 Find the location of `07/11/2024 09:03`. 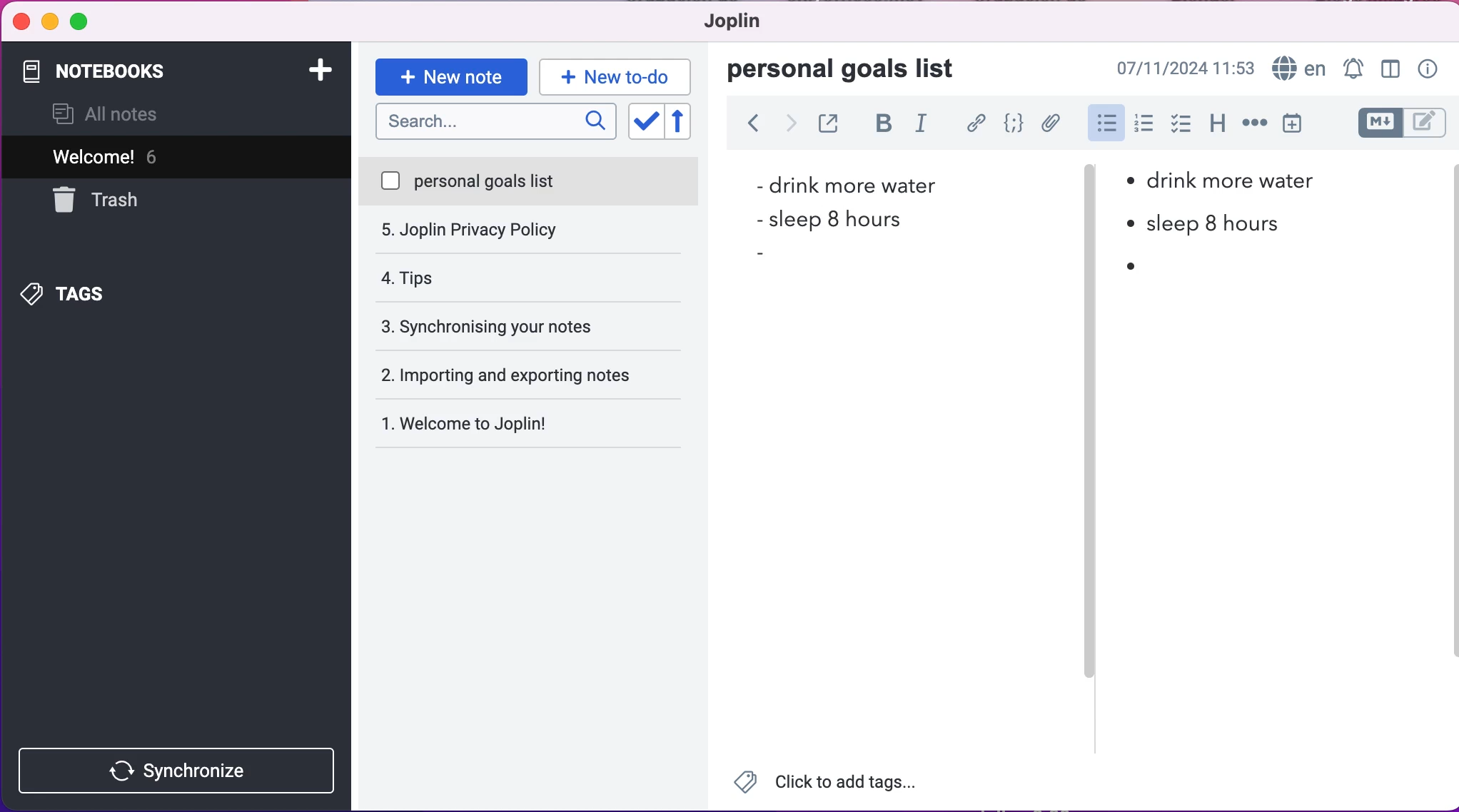

07/11/2024 09:03 is located at coordinates (1183, 66).